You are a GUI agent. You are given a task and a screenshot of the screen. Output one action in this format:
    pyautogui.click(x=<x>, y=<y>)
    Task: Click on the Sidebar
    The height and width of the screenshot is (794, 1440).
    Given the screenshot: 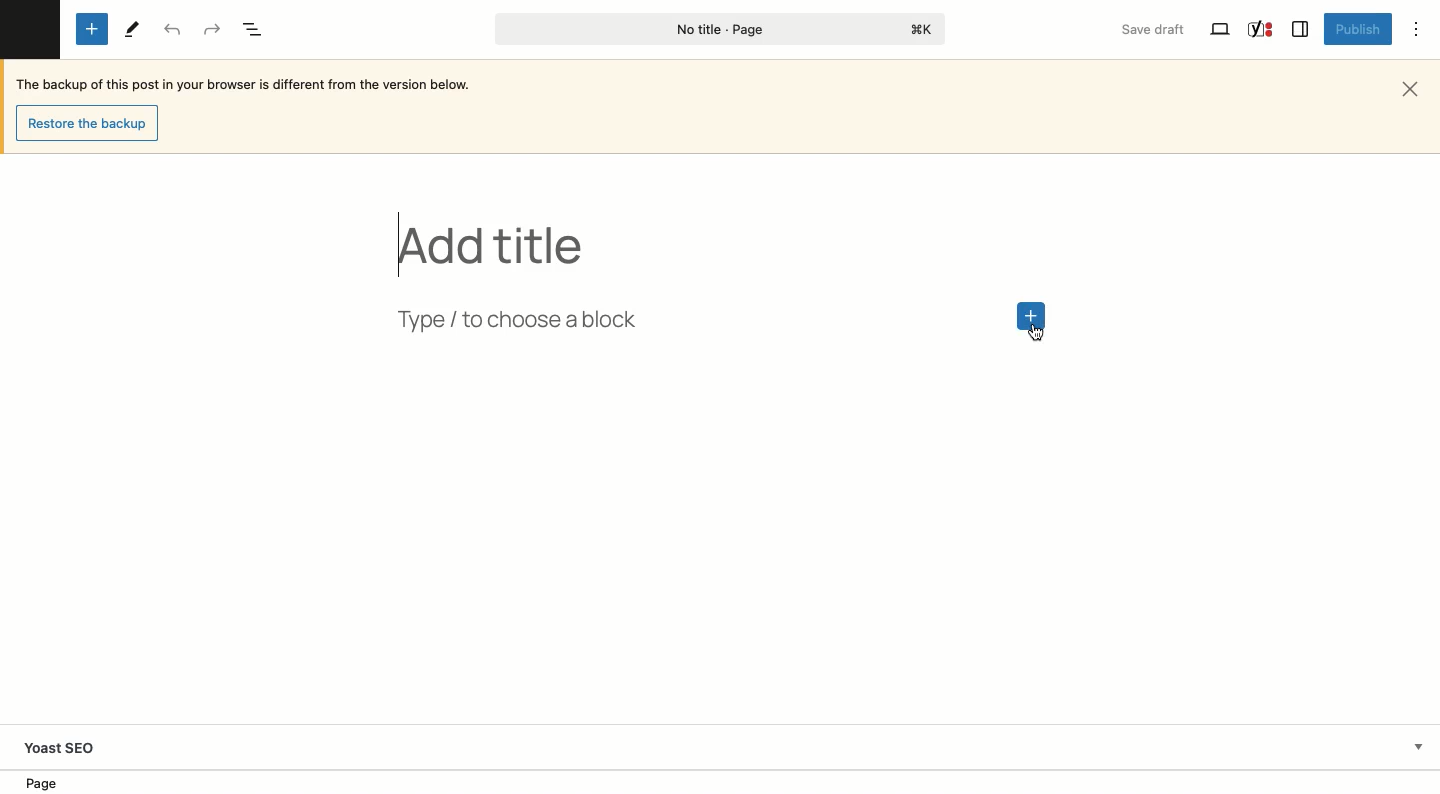 What is the action you would take?
    pyautogui.click(x=1299, y=30)
    